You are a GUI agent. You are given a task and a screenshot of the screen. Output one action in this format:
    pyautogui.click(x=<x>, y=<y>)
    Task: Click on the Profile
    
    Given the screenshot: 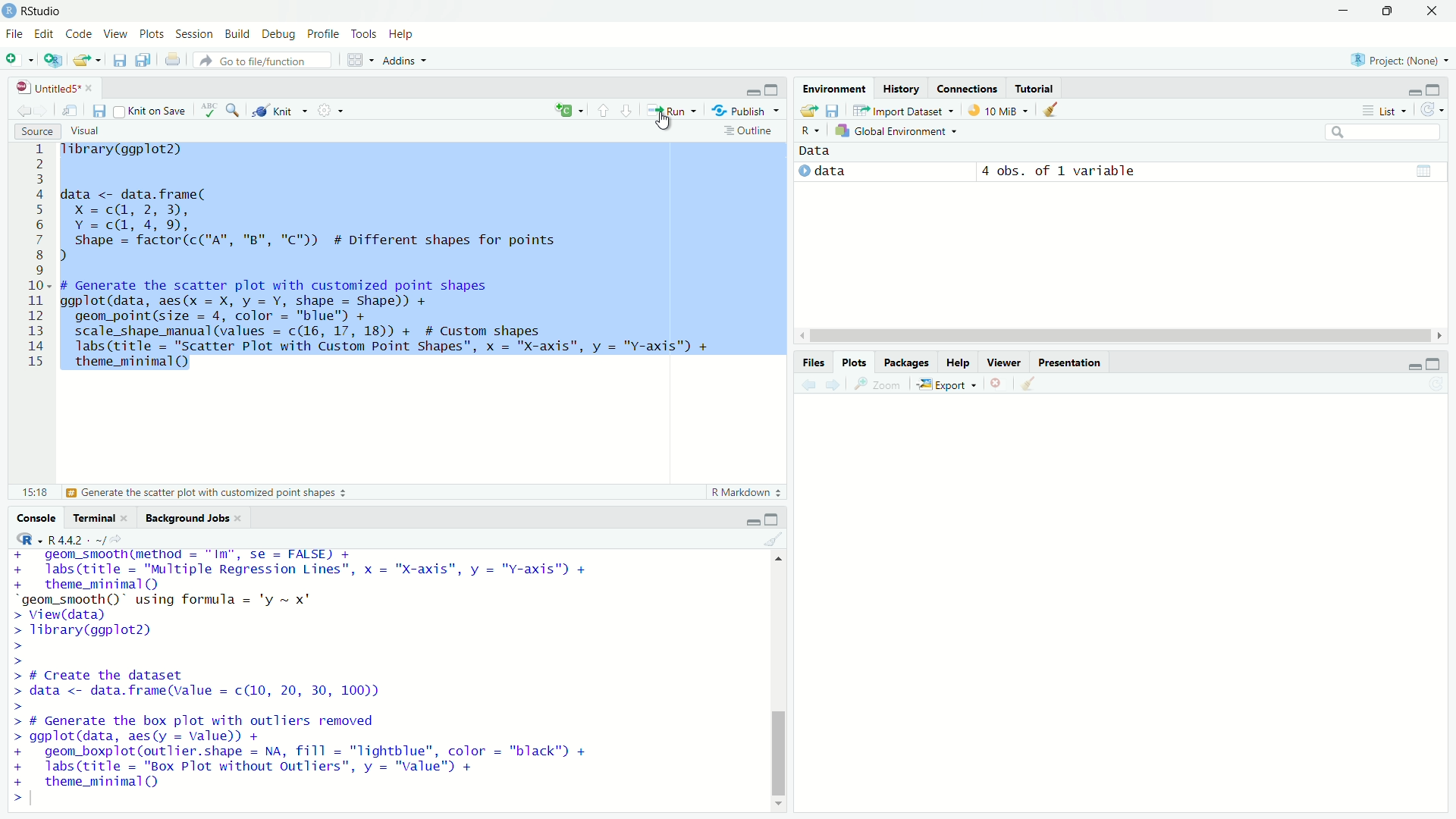 What is the action you would take?
    pyautogui.click(x=322, y=33)
    